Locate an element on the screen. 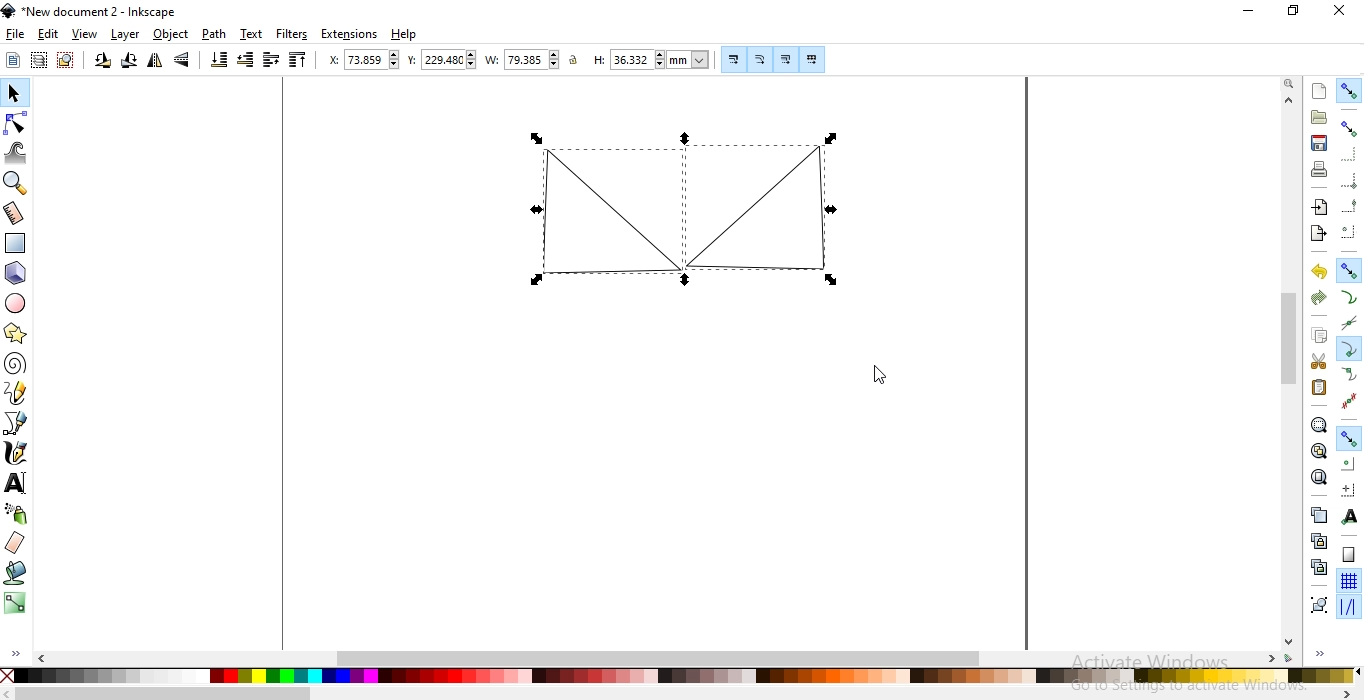 The height and width of the screenshot is (700, 1364). minimize is located at coordinates (1252, 12).